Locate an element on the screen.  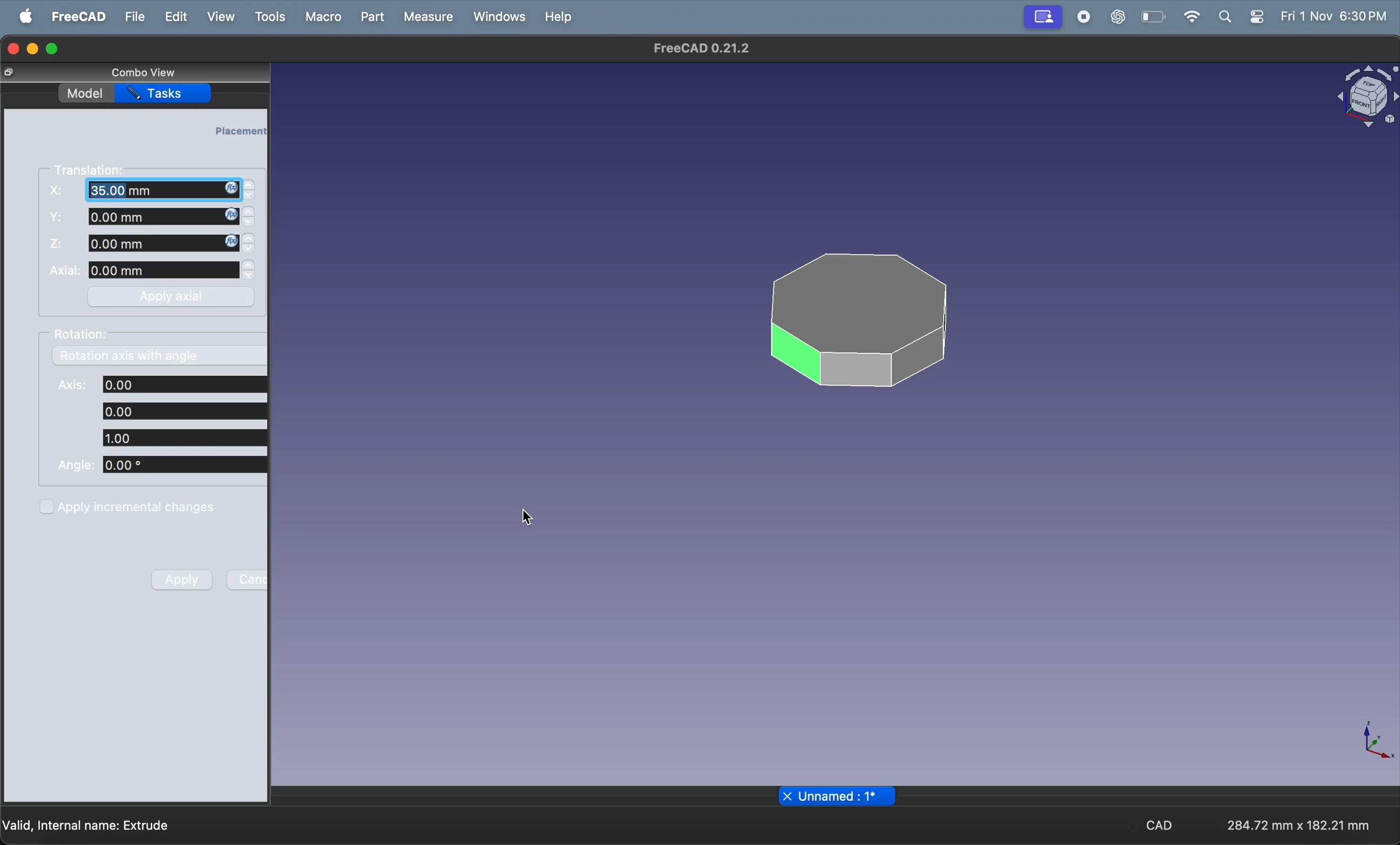
1.00 is located at coordinates (182, 438).